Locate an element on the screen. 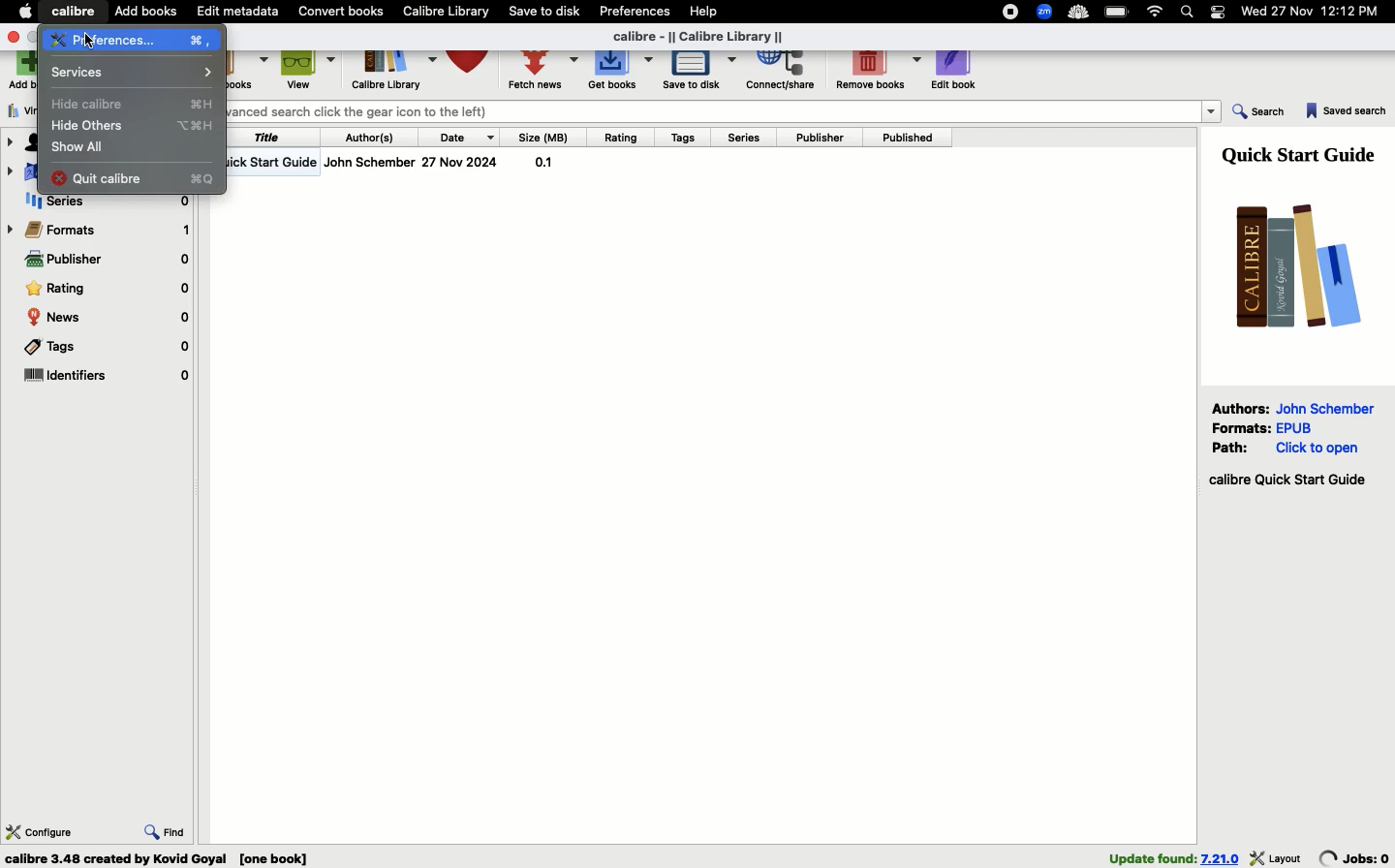 This screenshot has height=868, width=1395. epub is located at coordinates (1294, 427).